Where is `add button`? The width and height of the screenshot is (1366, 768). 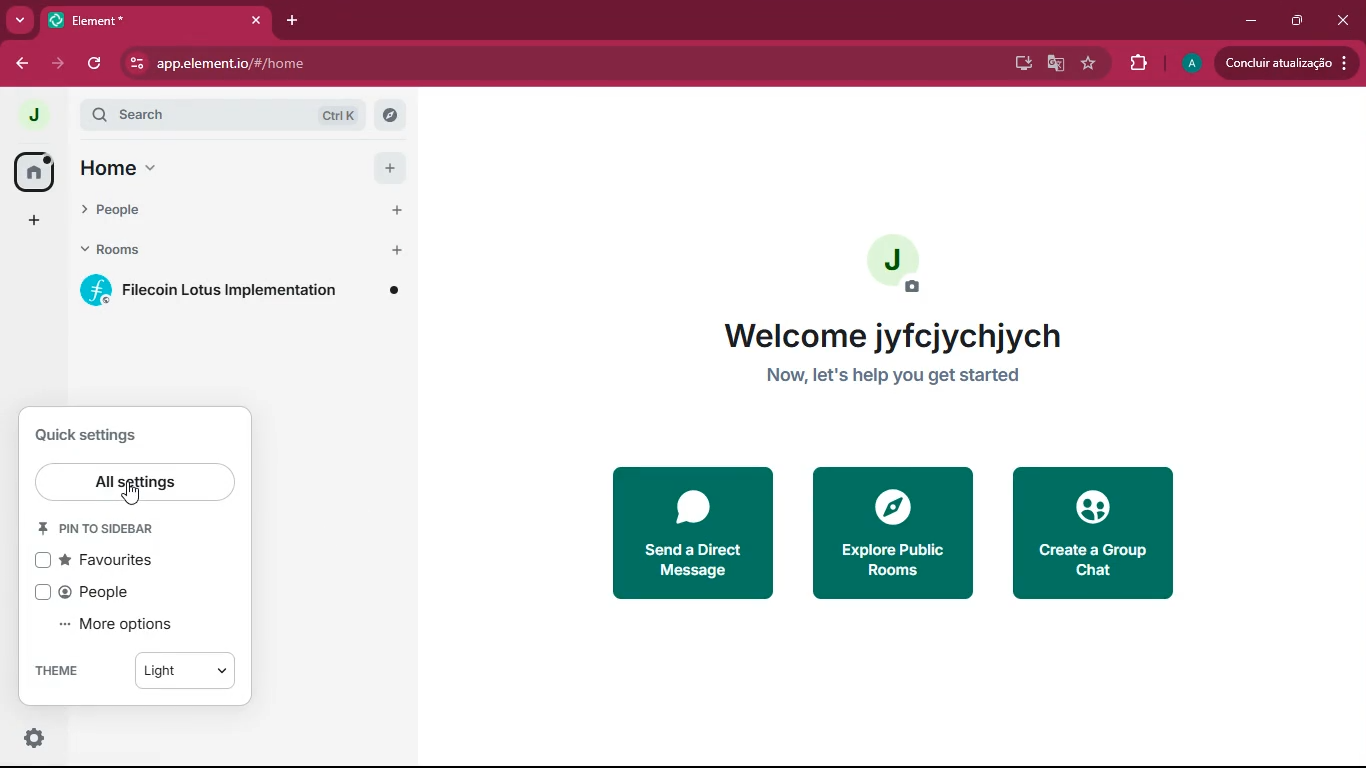 add button is located at coordinates (394, 210).